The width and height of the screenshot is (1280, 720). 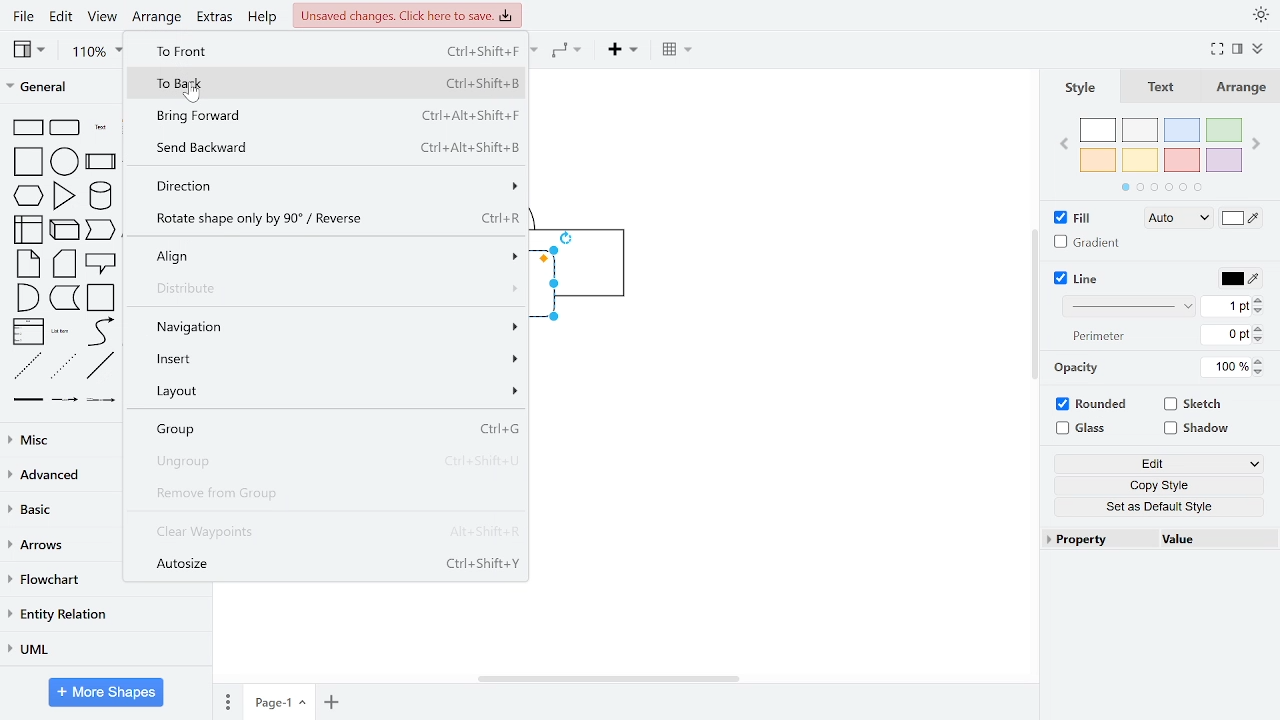 I want to click on triangle, so click(x=62, y=196).